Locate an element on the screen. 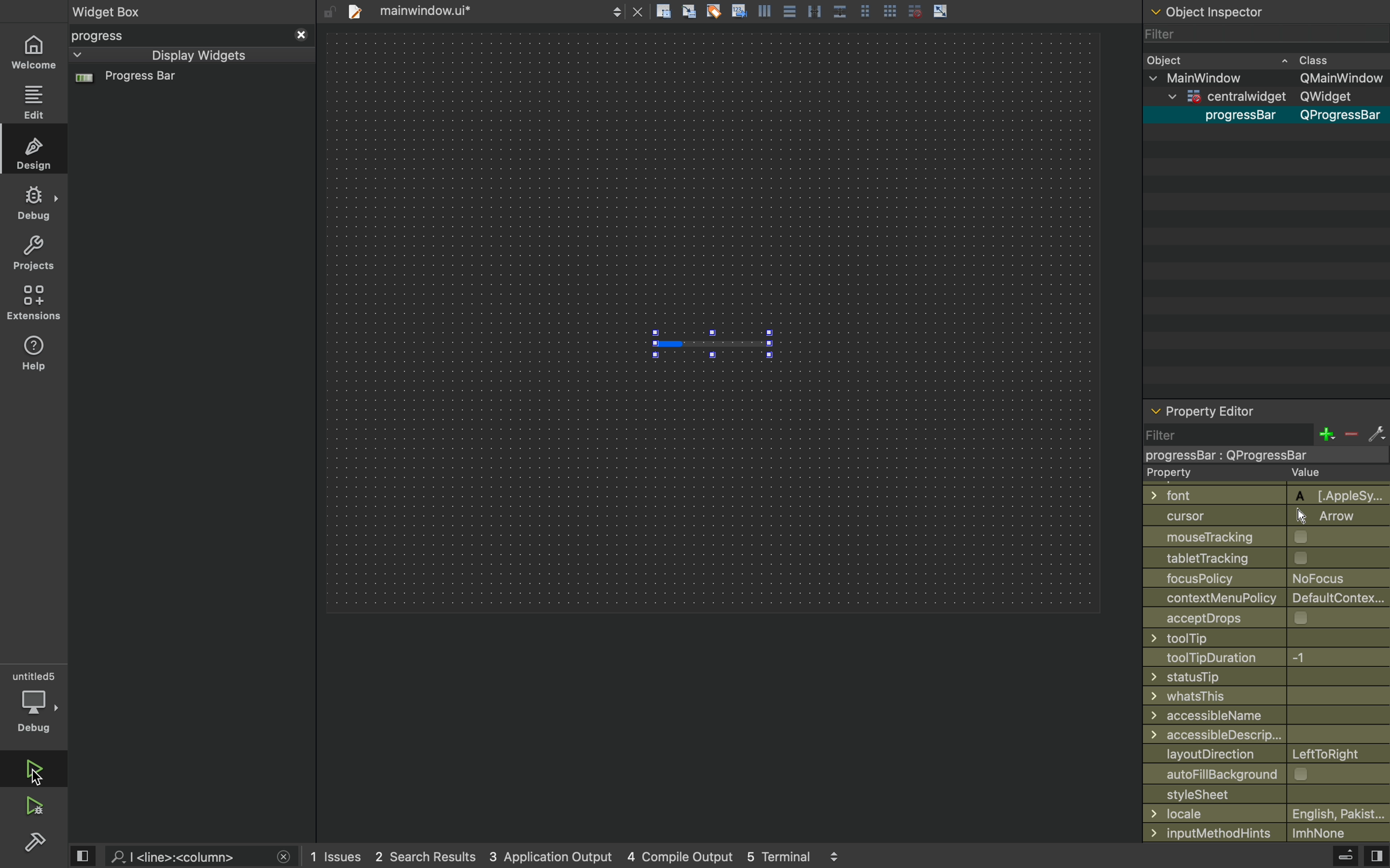 Image resolution: width=1390 pixels, height=868 pixels. Settings  is located at coordinates (34, 841).